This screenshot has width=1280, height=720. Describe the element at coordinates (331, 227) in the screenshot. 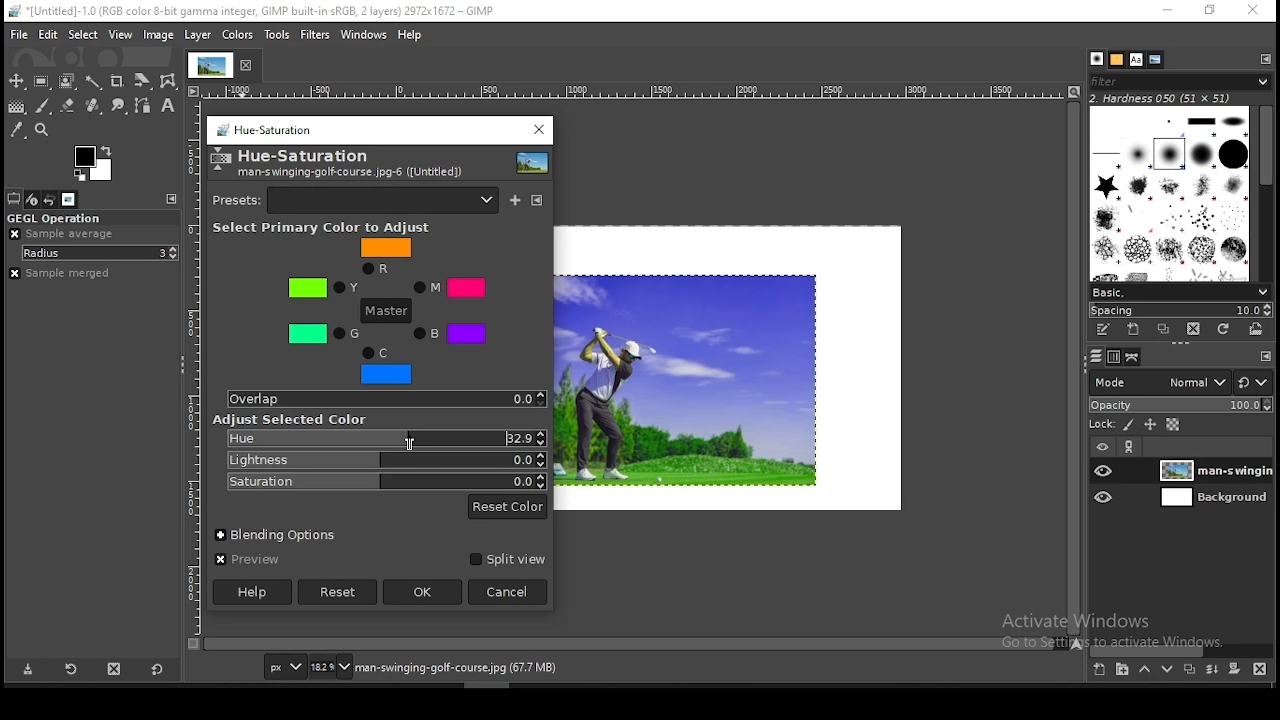

I see `select primary color to adjust` at that location.